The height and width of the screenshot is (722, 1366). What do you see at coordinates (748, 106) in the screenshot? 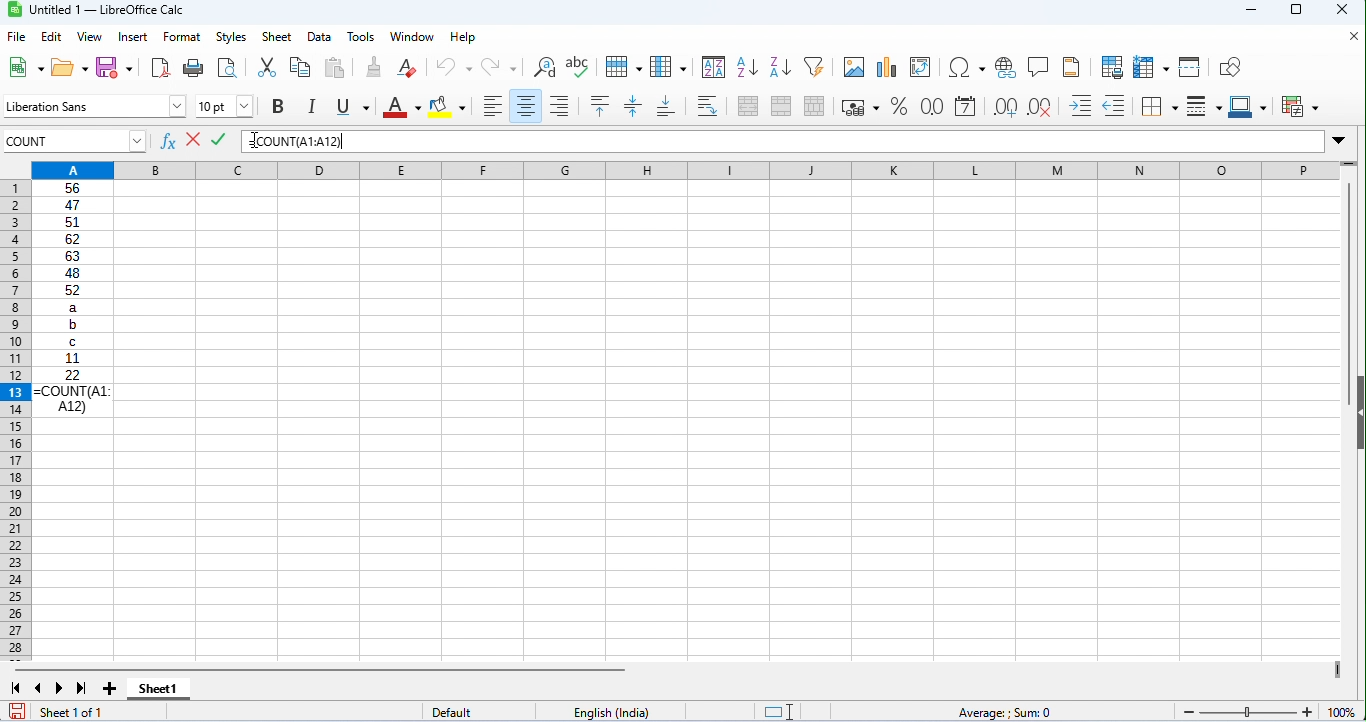
I see `merge and center` at bounding box center [748, 106].